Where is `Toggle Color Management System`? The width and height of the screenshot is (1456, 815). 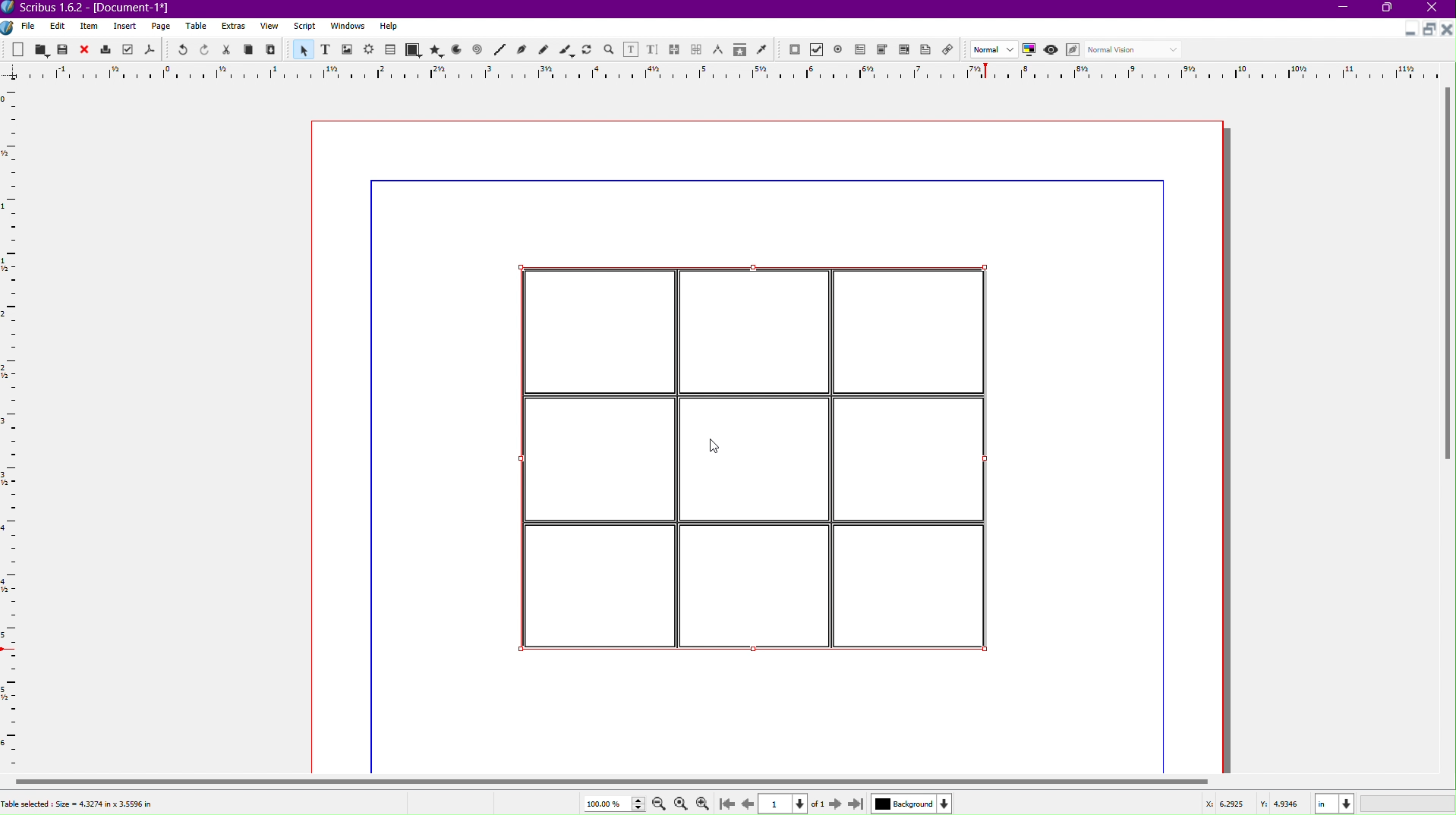 Toggle Color Management System is located at coordinates (1032, 52).